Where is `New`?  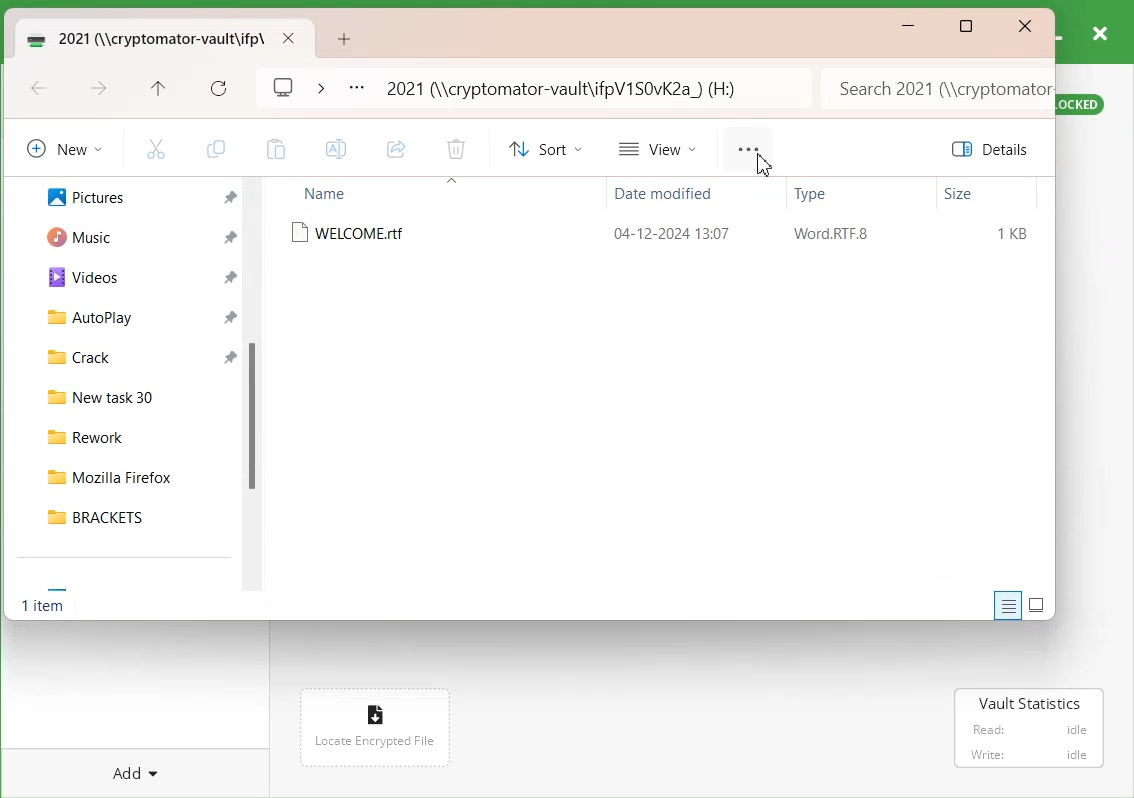
New is located at coordinates (61, 148).